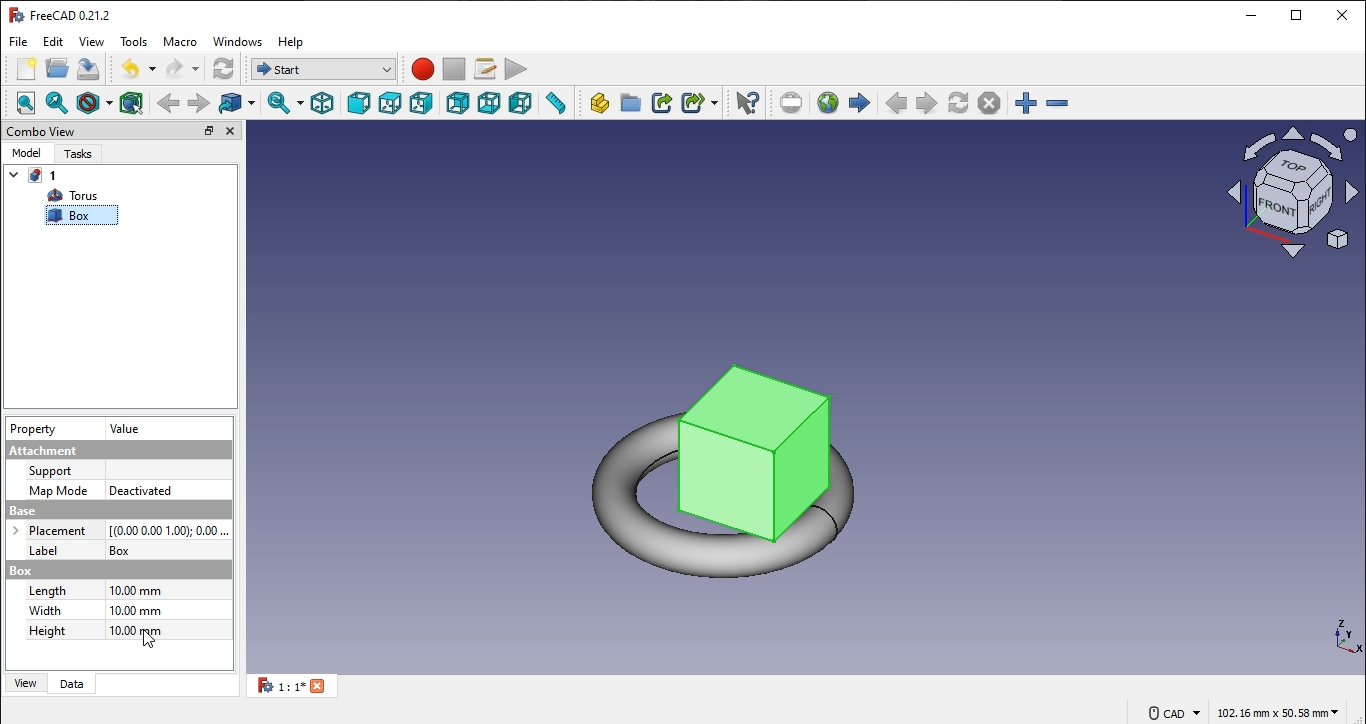 The width and height of the screenshot is (1366, 724). What do you see at coordinates (131, 102) in the screenshot?
I see `bounding box` at bounding box center [131, 102].